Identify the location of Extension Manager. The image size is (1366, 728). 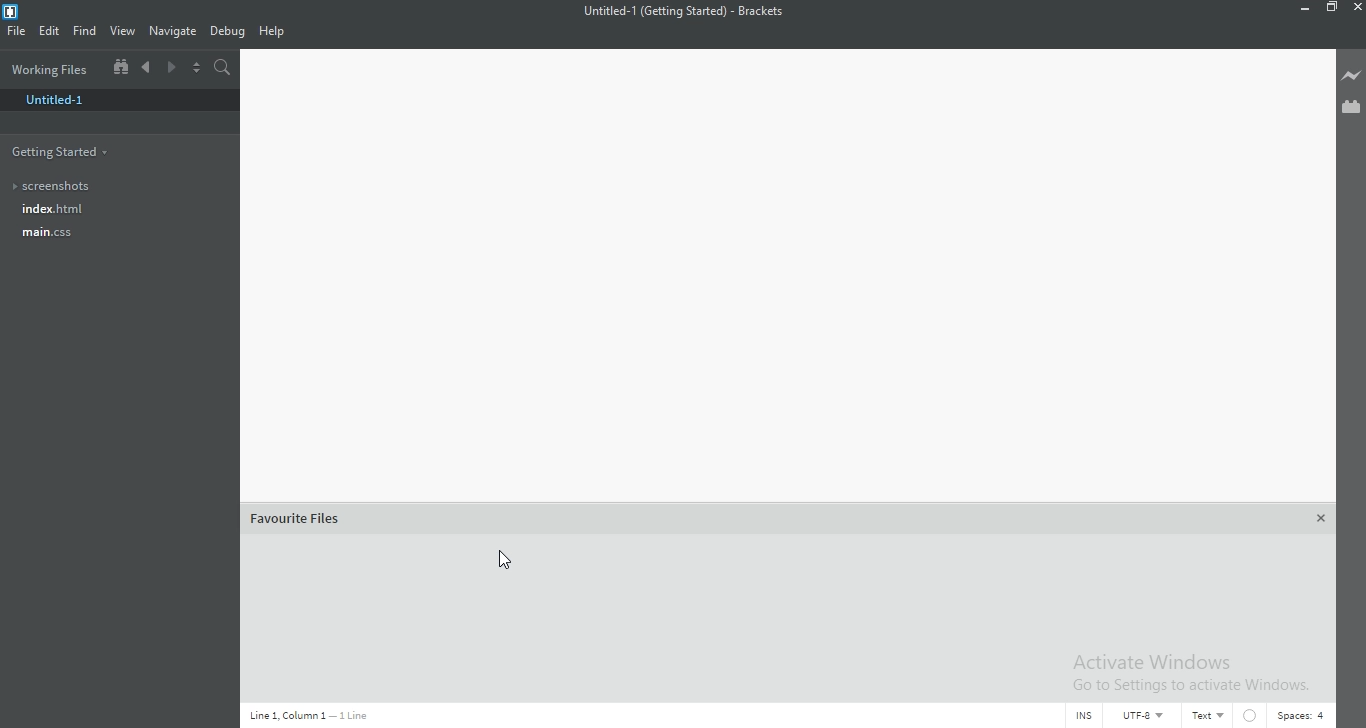
(1349, 108).